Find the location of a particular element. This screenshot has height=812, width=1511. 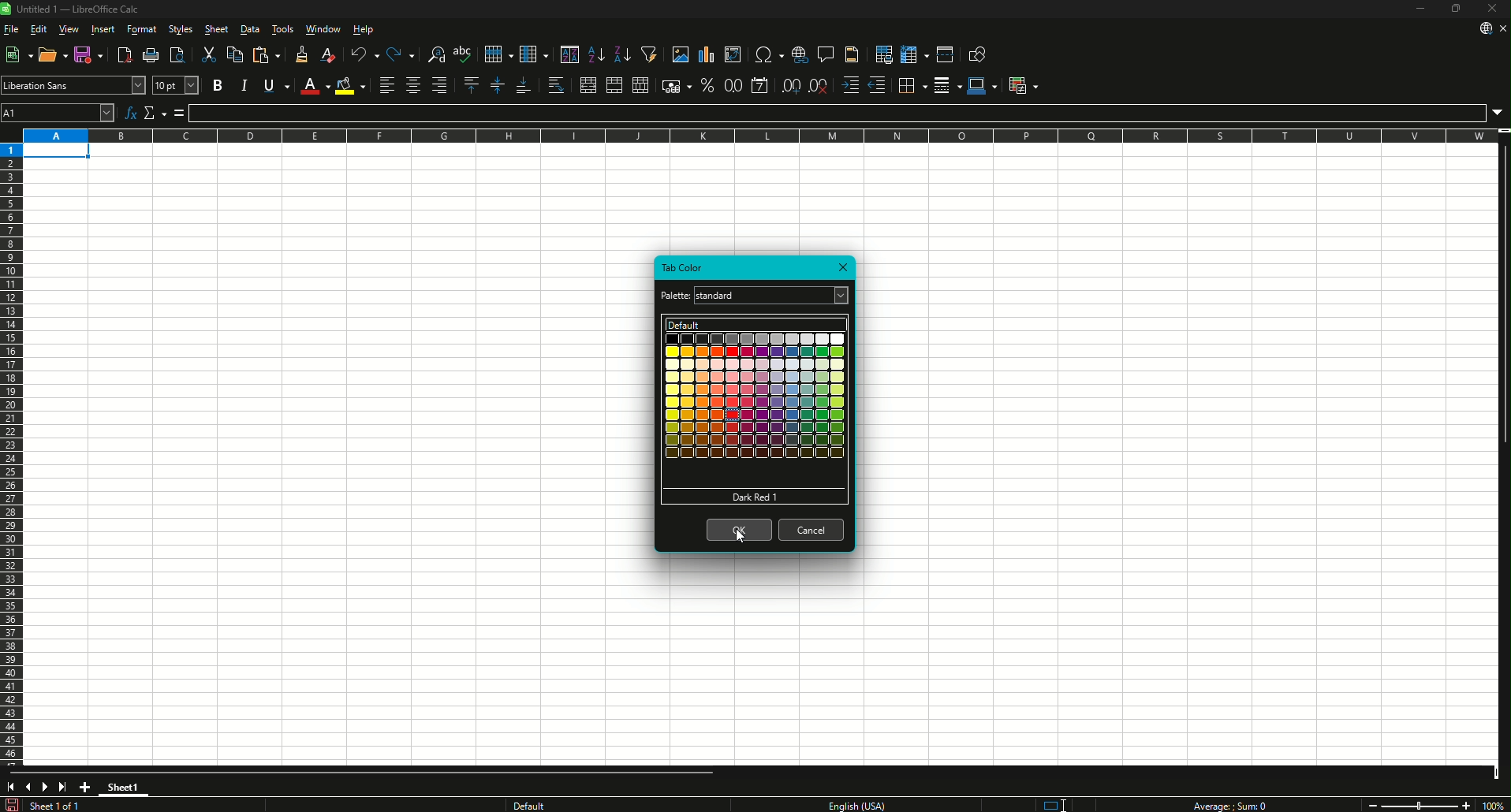

Font Color is located at coordinates (315, 86).